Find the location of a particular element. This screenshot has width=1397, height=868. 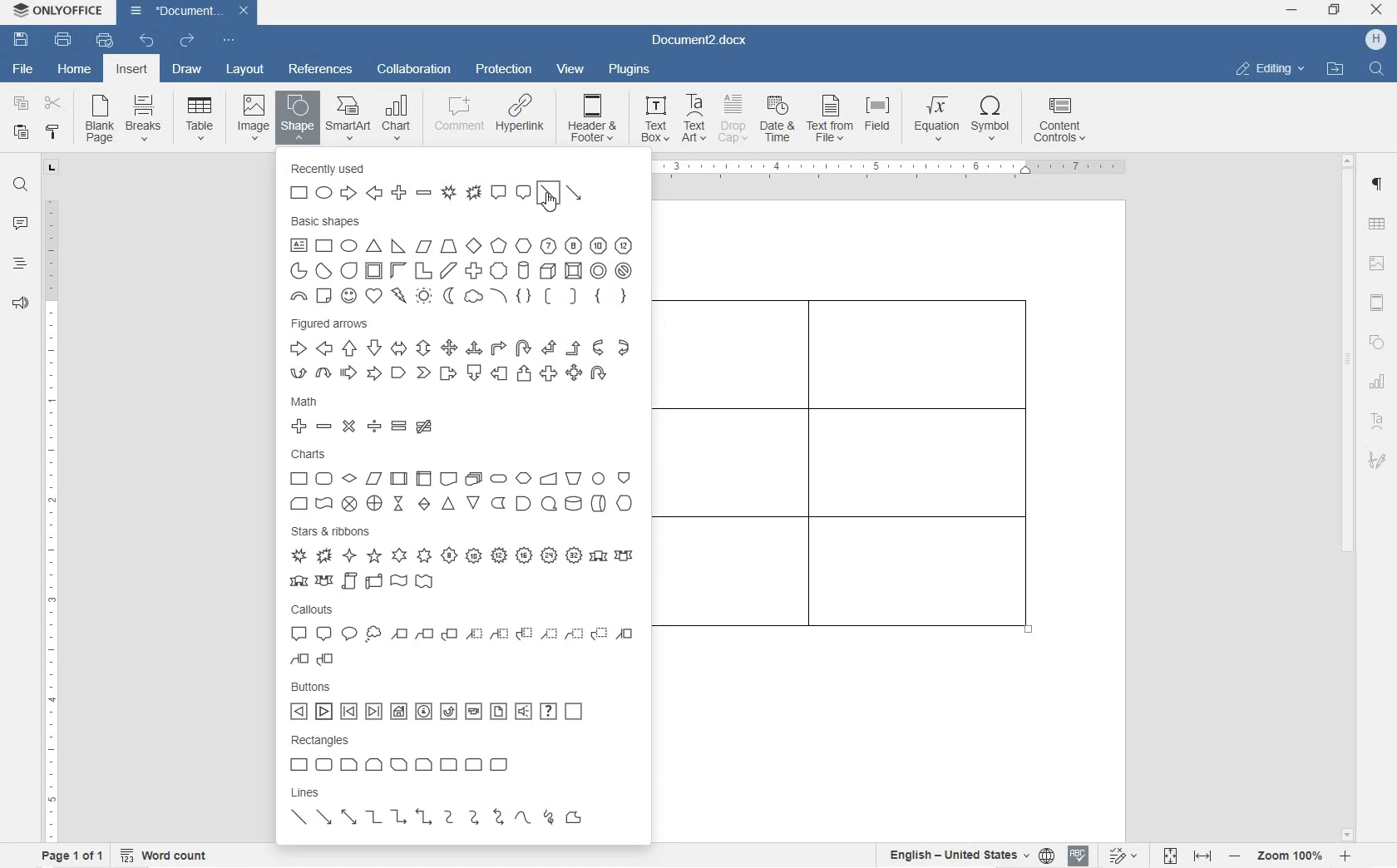

buttons is located at coordinates (437, 702).